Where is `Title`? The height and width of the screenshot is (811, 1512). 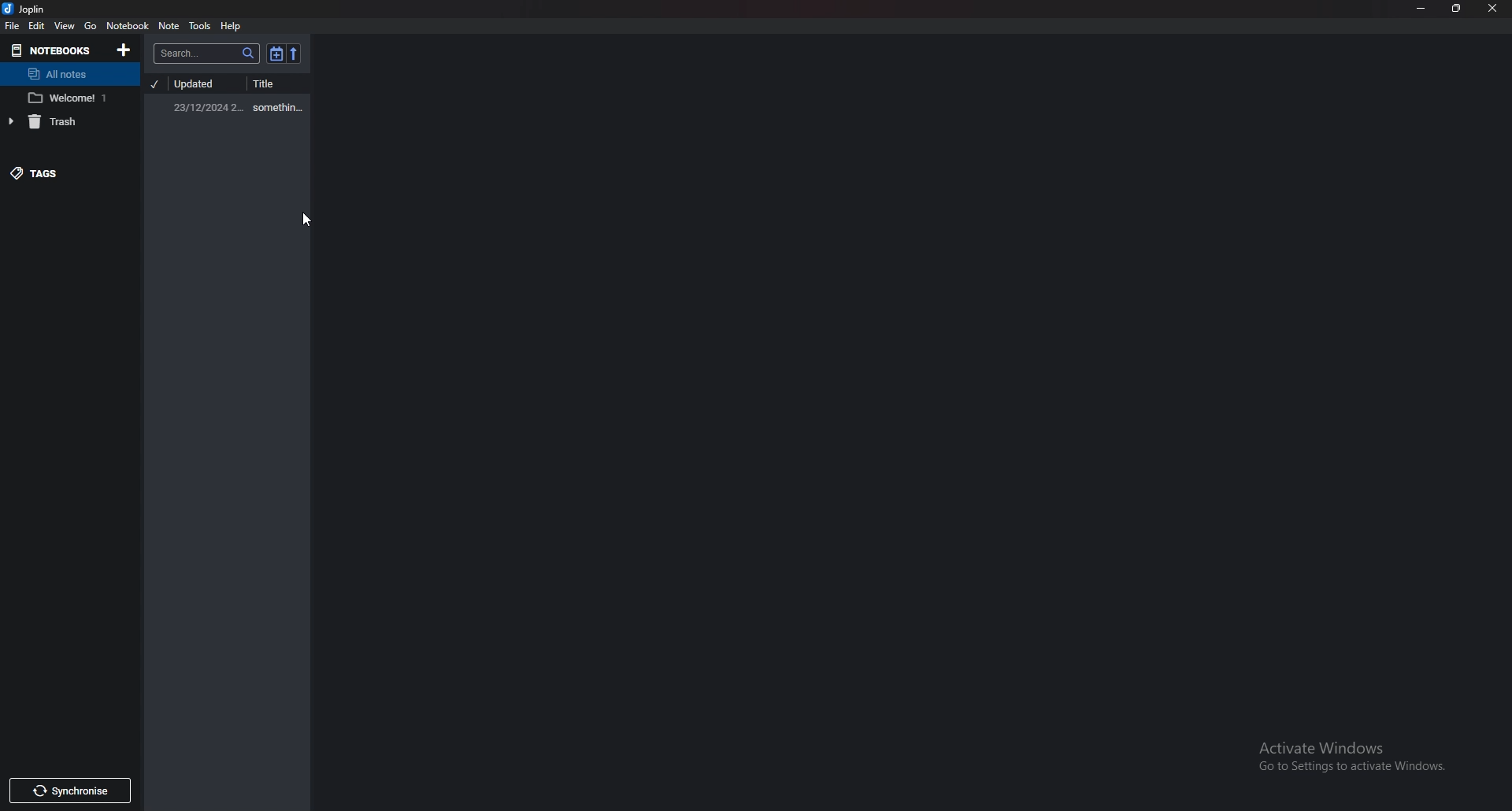 Title is located at coordinates (282, 83).